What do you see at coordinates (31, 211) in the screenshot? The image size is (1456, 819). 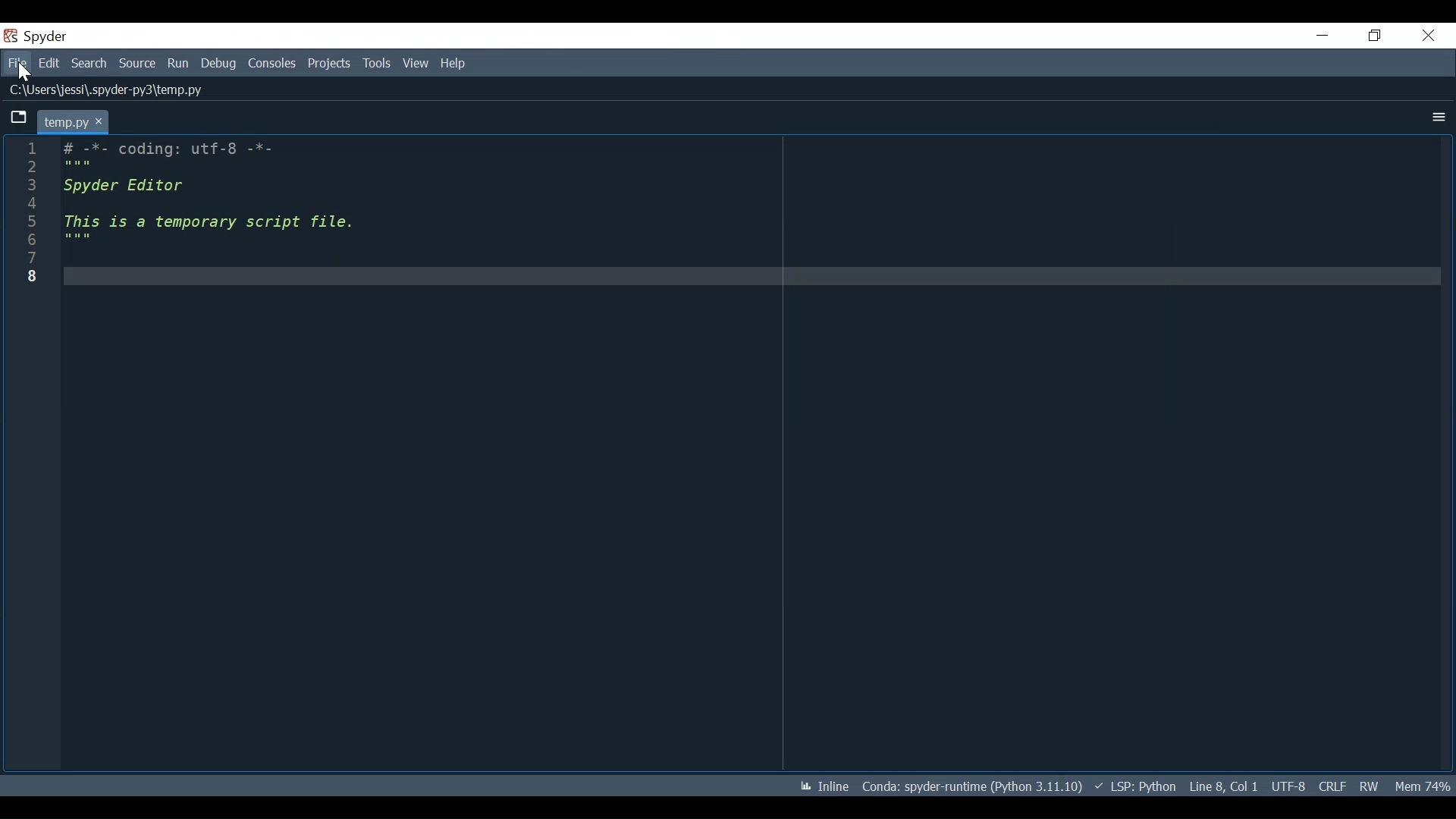 I see `1 23 4 5 6 7 8` at bounding box center [31, 211].